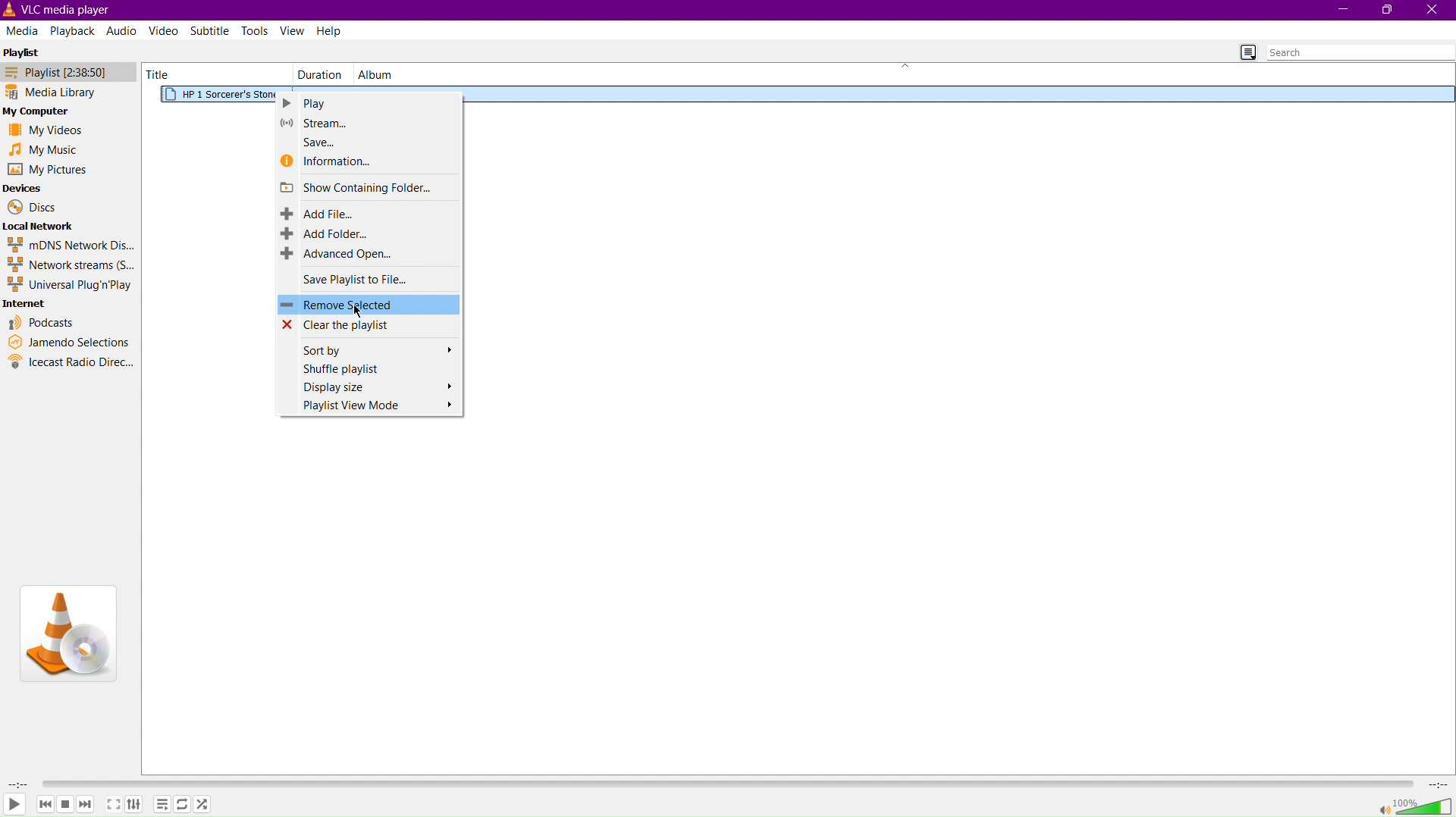 The image size is (1456, 817). What do you see at coordinates (134, 803) in the screenshot?
I see `Extended settings` at bounding box center [134, 803].